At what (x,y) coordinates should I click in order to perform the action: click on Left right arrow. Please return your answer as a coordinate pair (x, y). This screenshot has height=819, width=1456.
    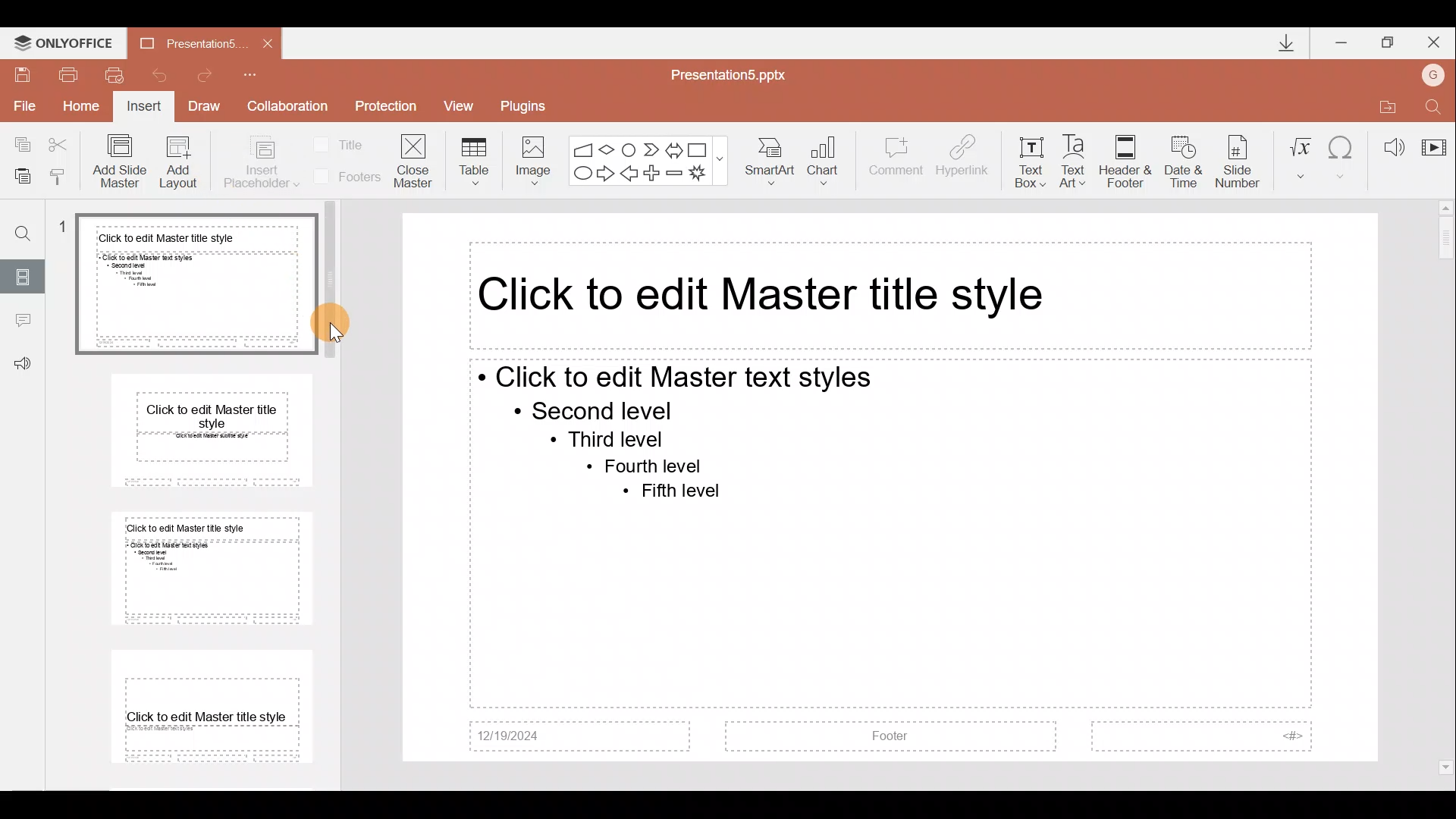
    Looking at the image, I should click on (673, 147).